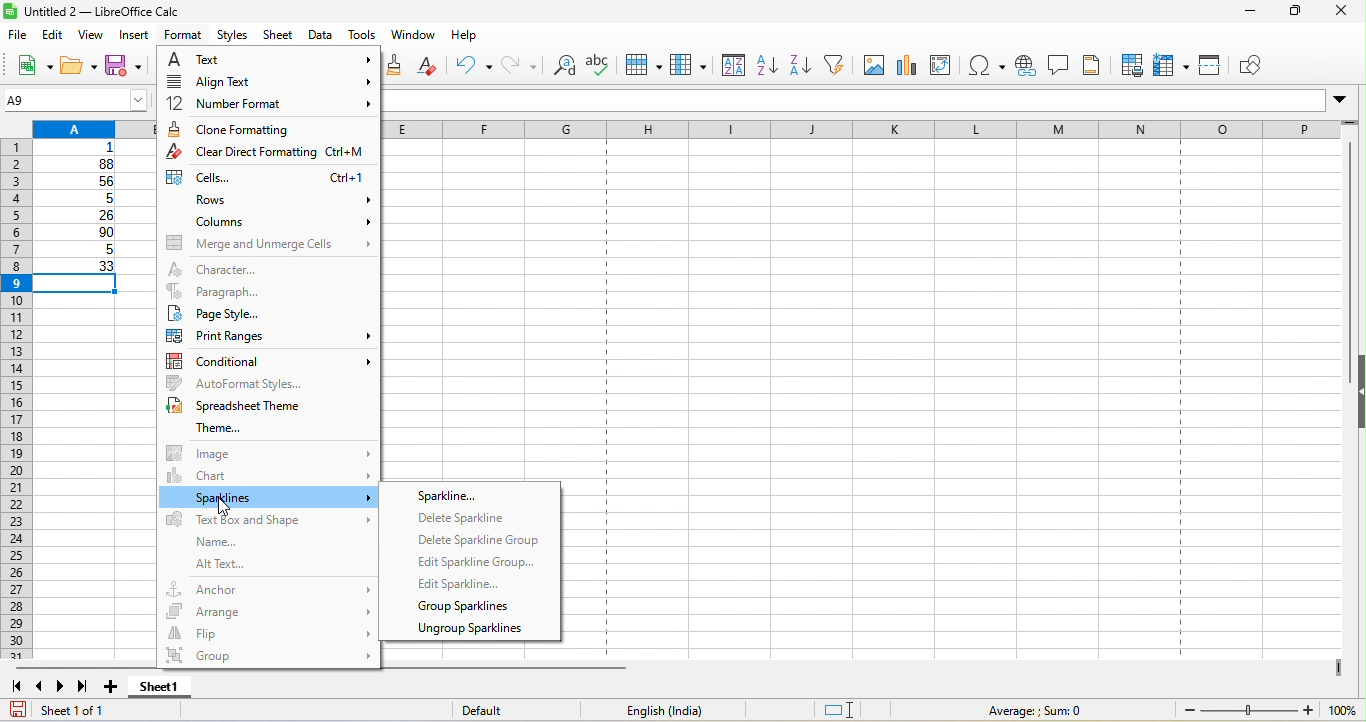 The width and height of the screenshot is (1366, 722). Describe the element at coordinates (1342, 13) in the screenshot. I see `close` at that location.